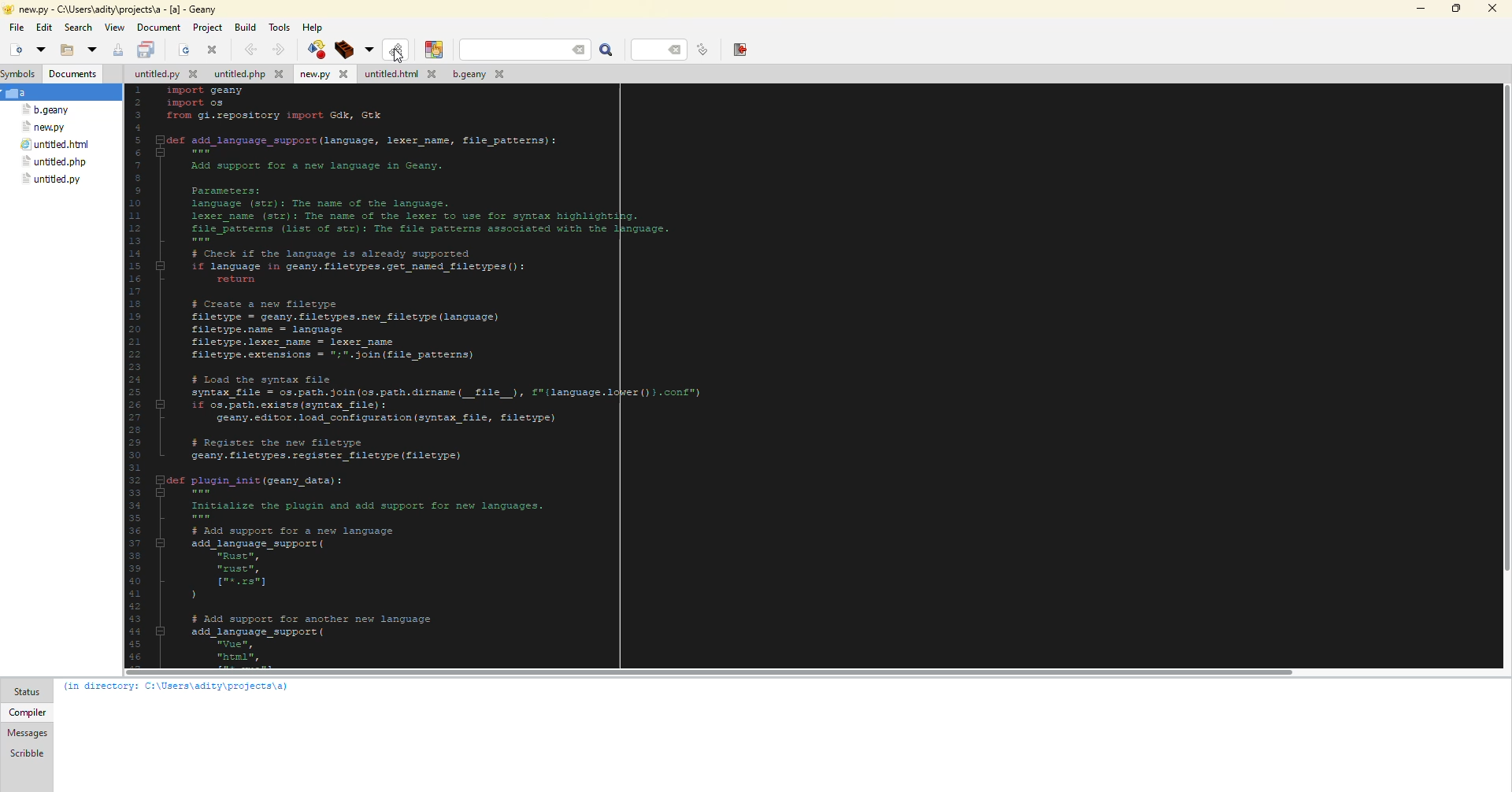  What do you see at coordinates (162, 74) in the screenshot?
I see `file` at bounding box center [162, 74].